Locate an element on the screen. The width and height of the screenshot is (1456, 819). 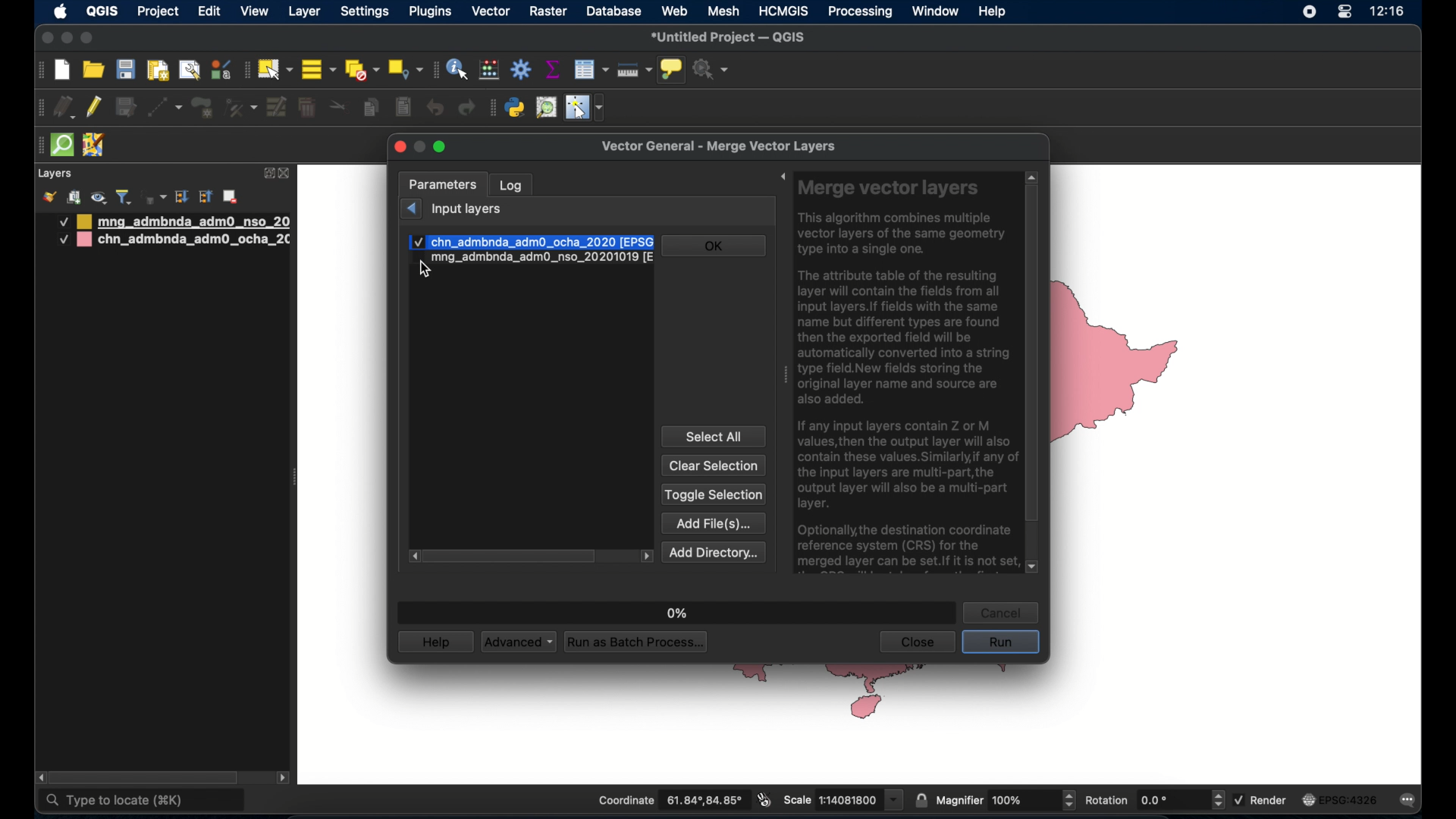
show print layout is located at coordinates (156, 70).